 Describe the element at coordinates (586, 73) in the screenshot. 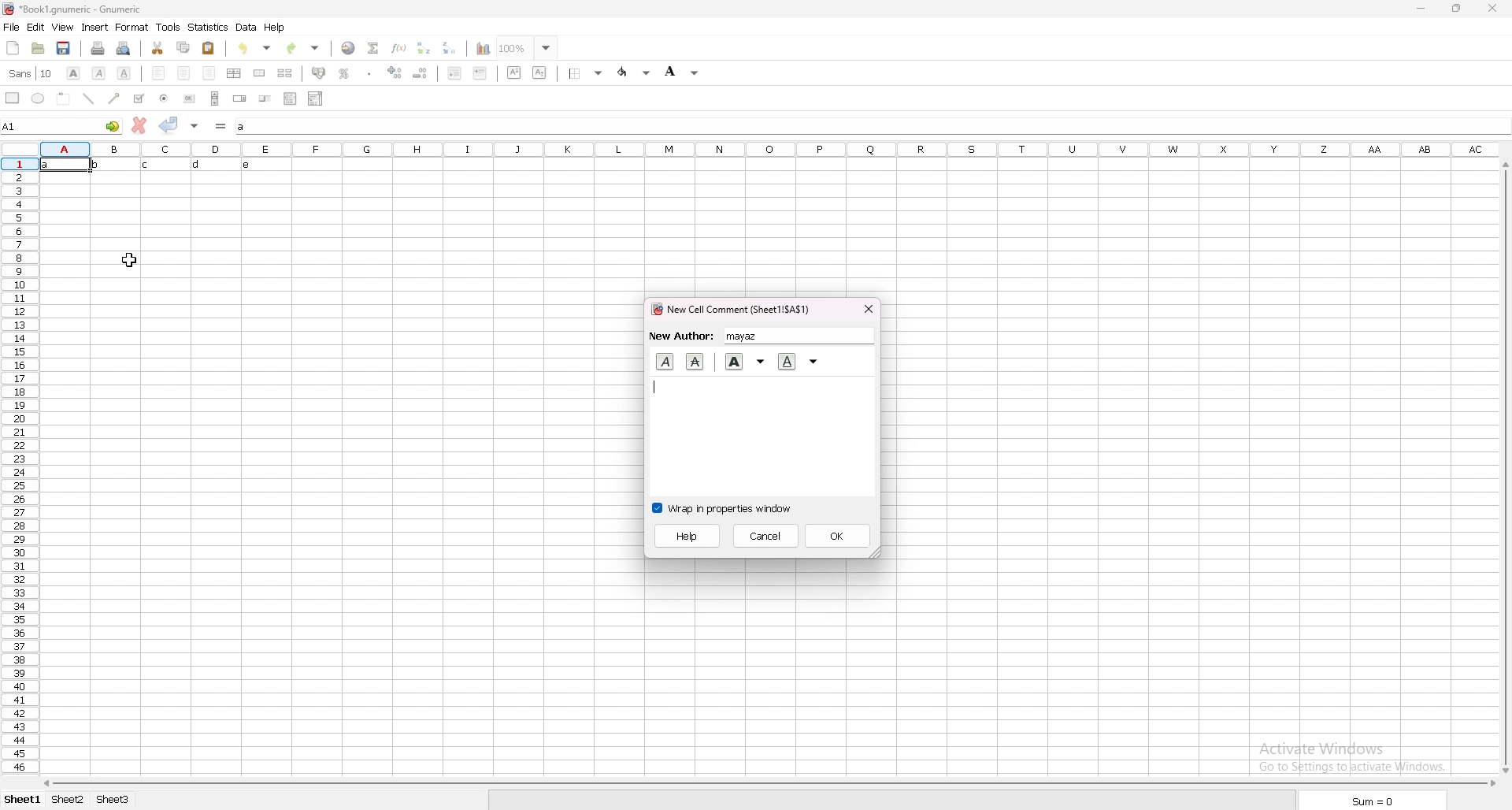

I see `border` at that location.